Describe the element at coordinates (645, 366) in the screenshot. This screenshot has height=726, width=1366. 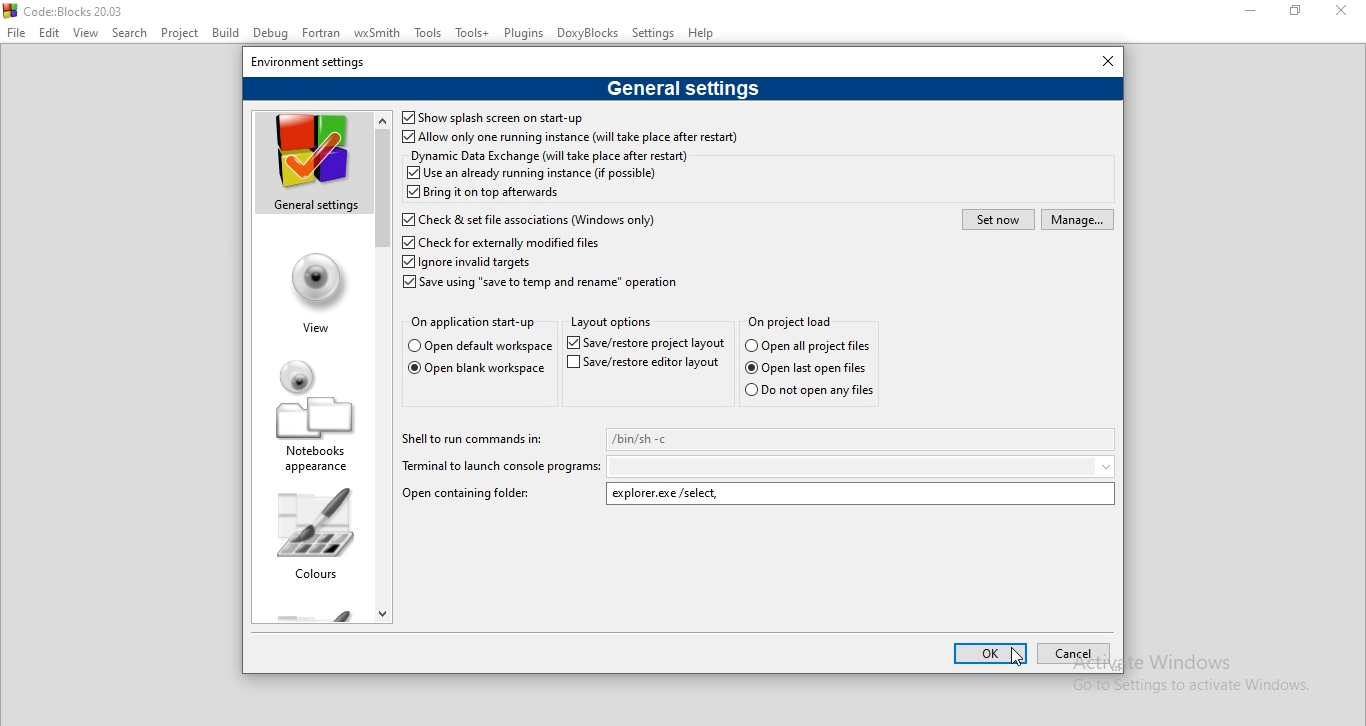
I see `Save/restore editor layout` at that location.